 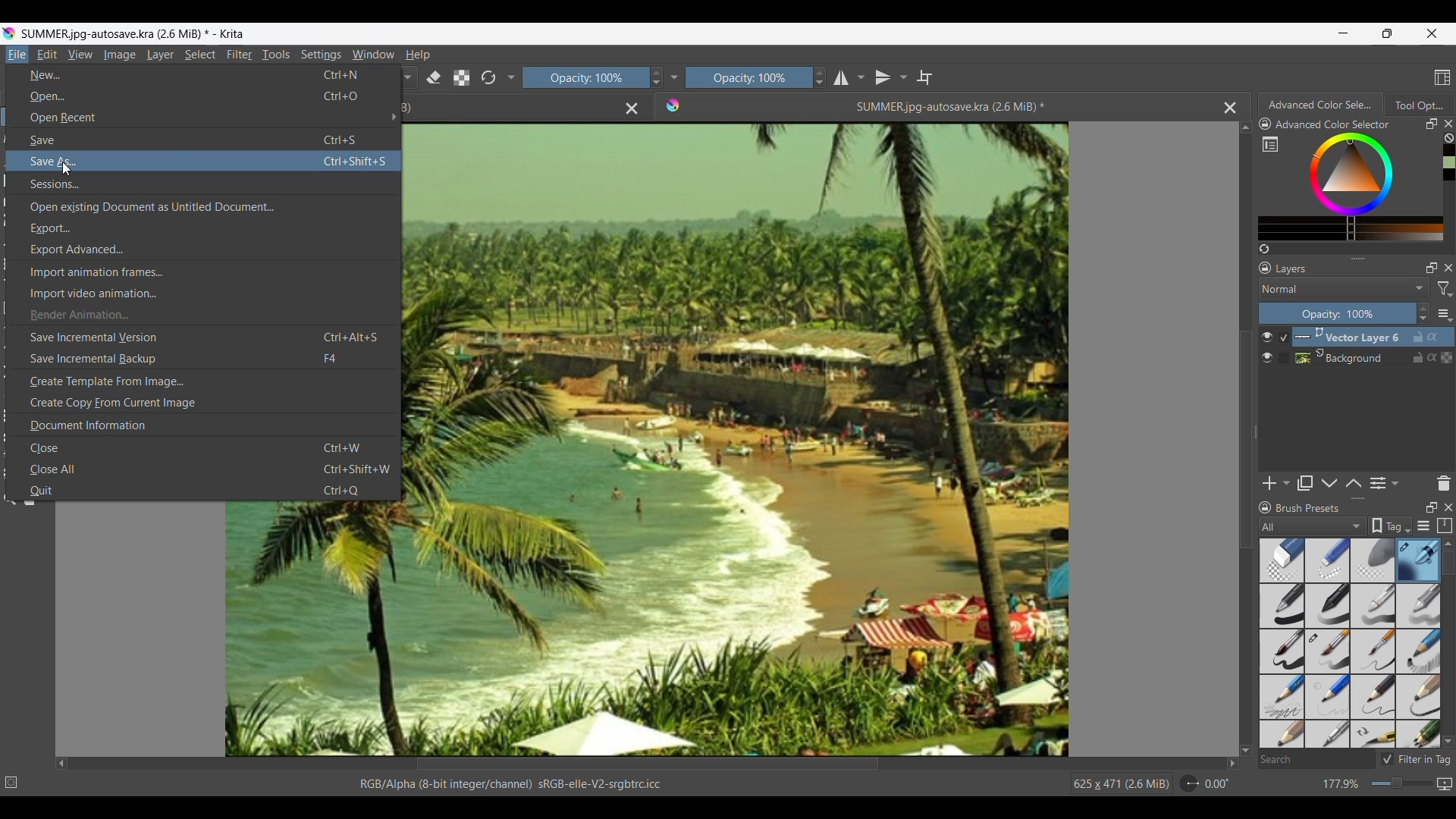 I want to click on Tools, so click(x=276, y=55).